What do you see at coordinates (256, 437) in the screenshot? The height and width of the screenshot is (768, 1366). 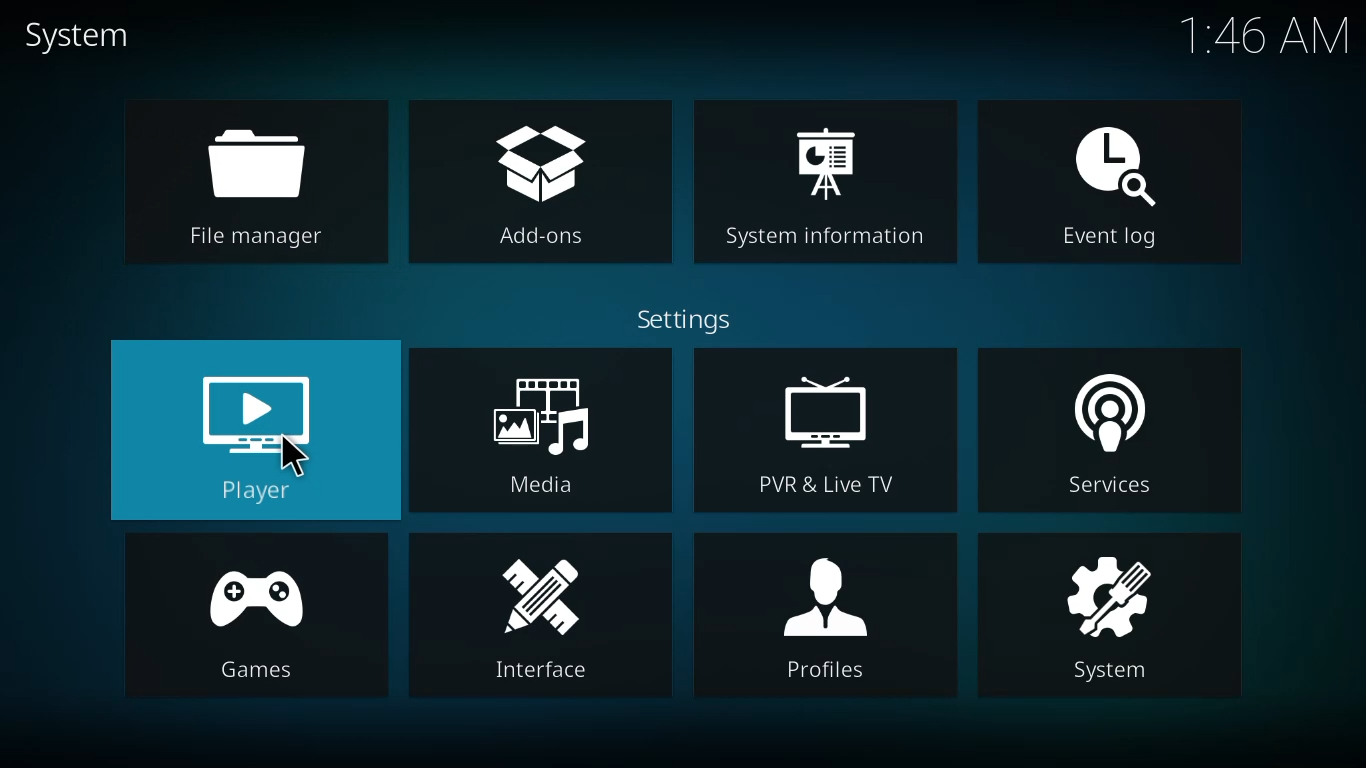 I see `player` at bounding box center [256, 437].